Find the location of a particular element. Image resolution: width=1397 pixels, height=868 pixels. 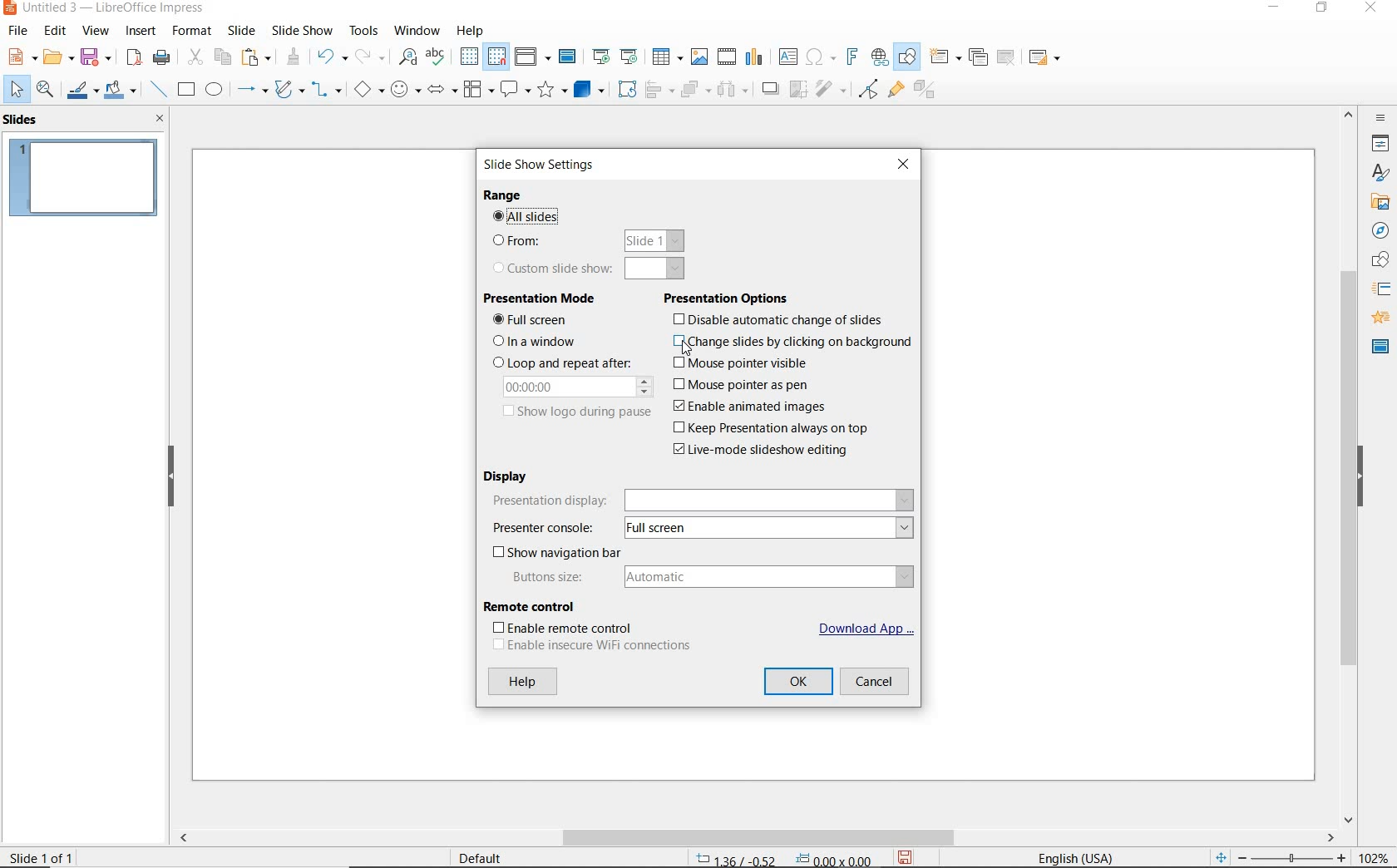

3D OBJECTS is located at coordinates (588, 91).